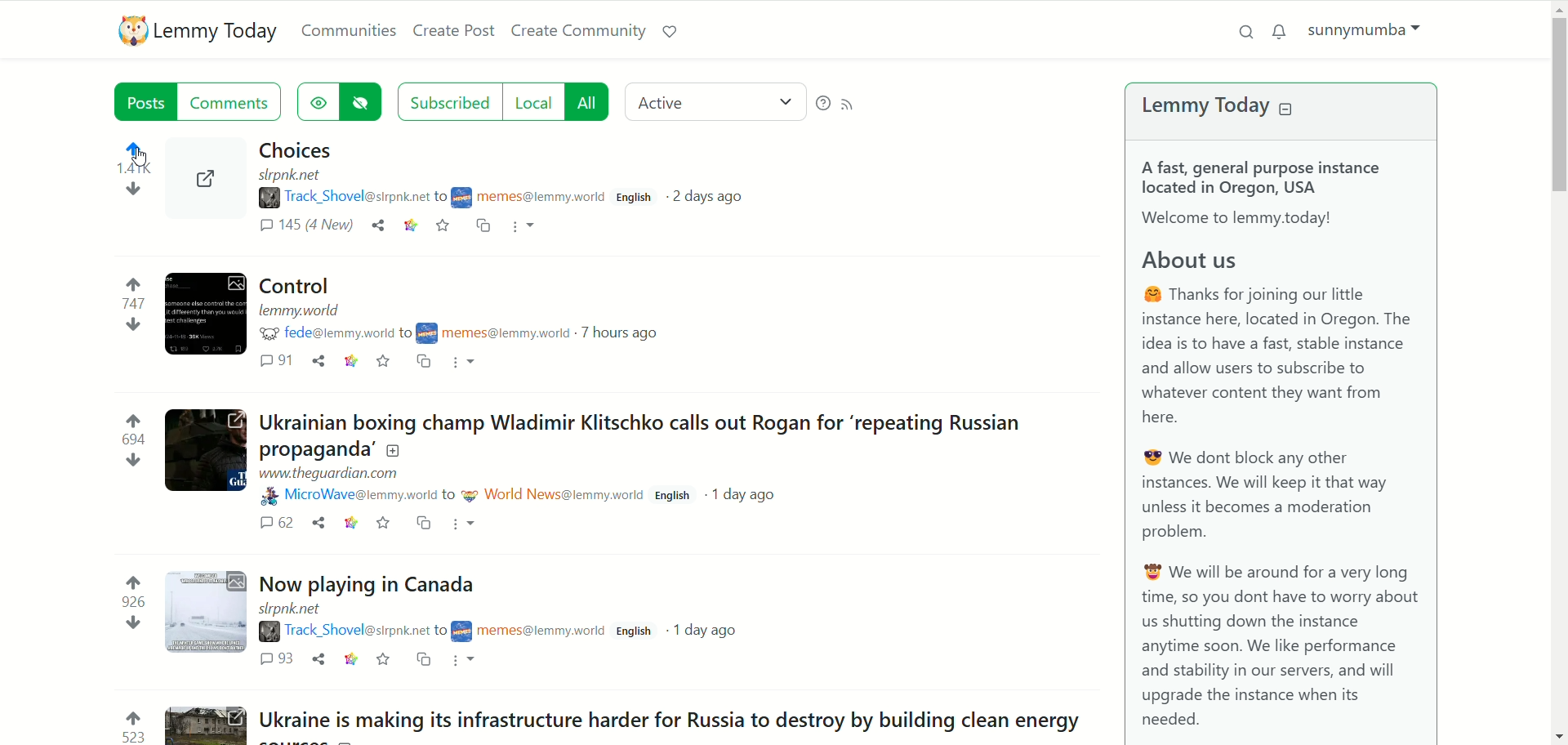 The height and width of the screenshot is (745, 1568). I want to click on show hidden posts, so click(319, 104).